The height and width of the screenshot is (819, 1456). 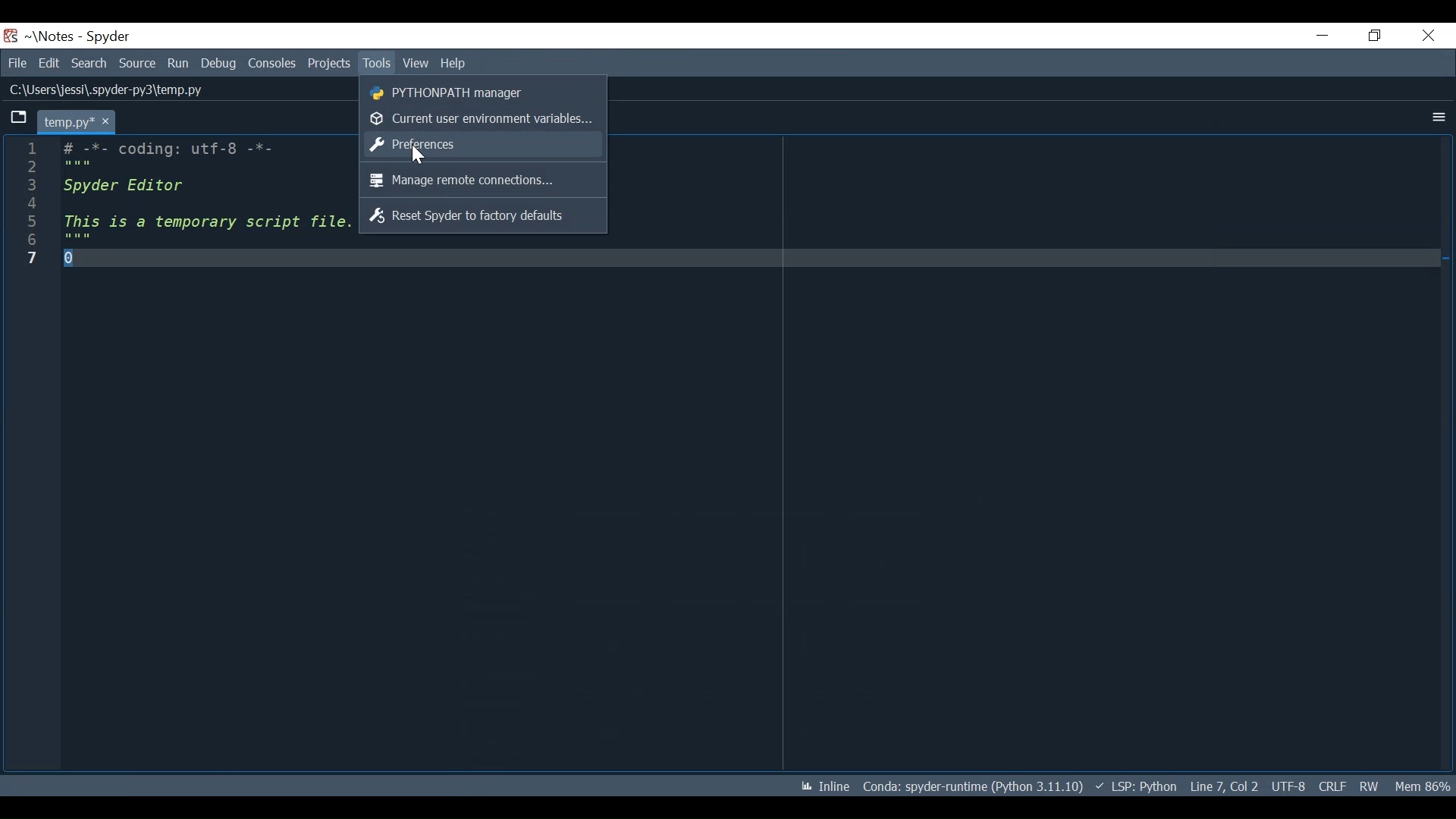 I want to click on Language, so click(x=1137, y=786).